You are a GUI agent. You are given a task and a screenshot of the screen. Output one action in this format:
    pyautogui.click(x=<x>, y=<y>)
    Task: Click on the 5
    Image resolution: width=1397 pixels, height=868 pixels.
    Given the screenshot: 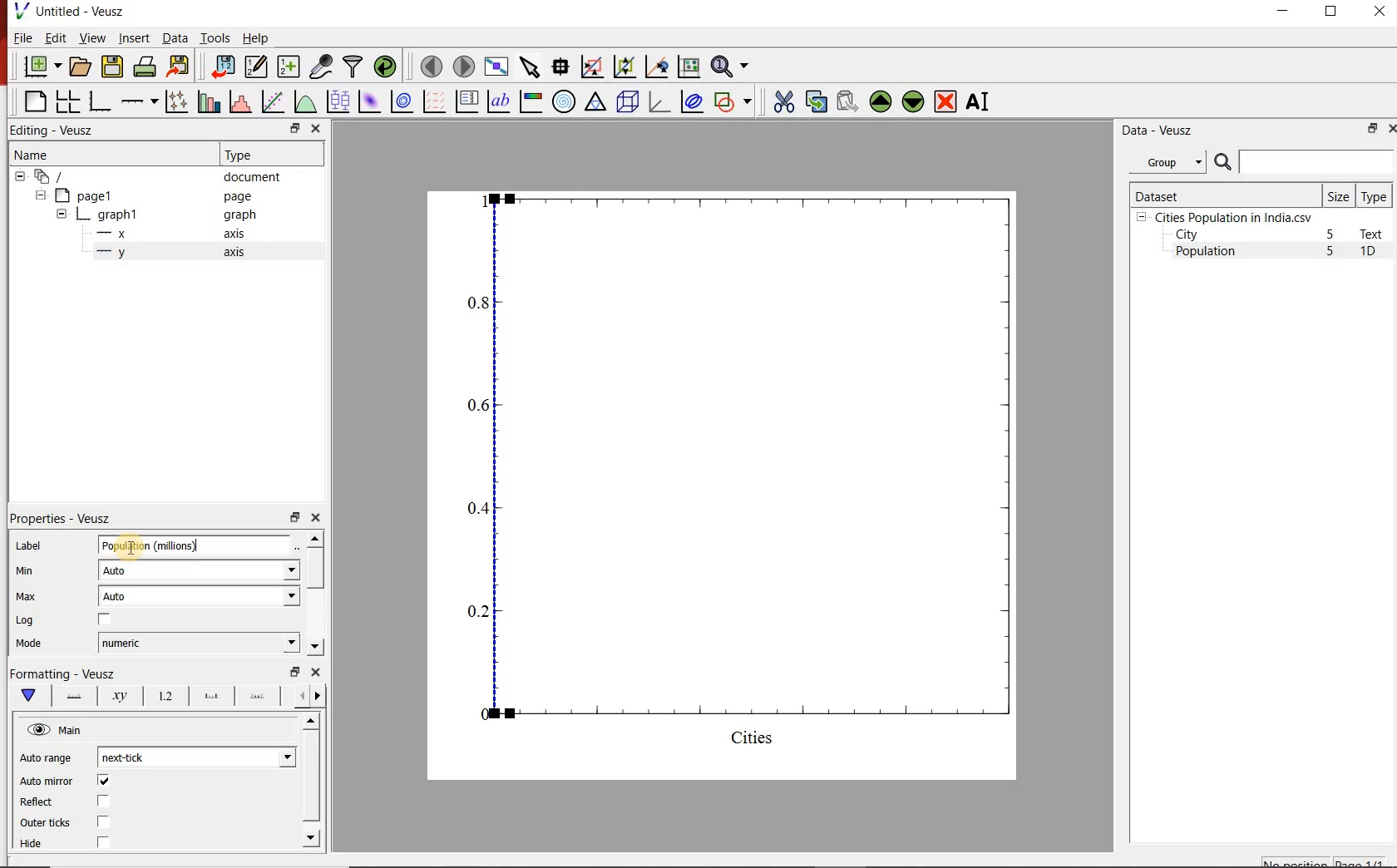 What is the action you would take?
    pyautogui.click(x=1331, y=252)
    